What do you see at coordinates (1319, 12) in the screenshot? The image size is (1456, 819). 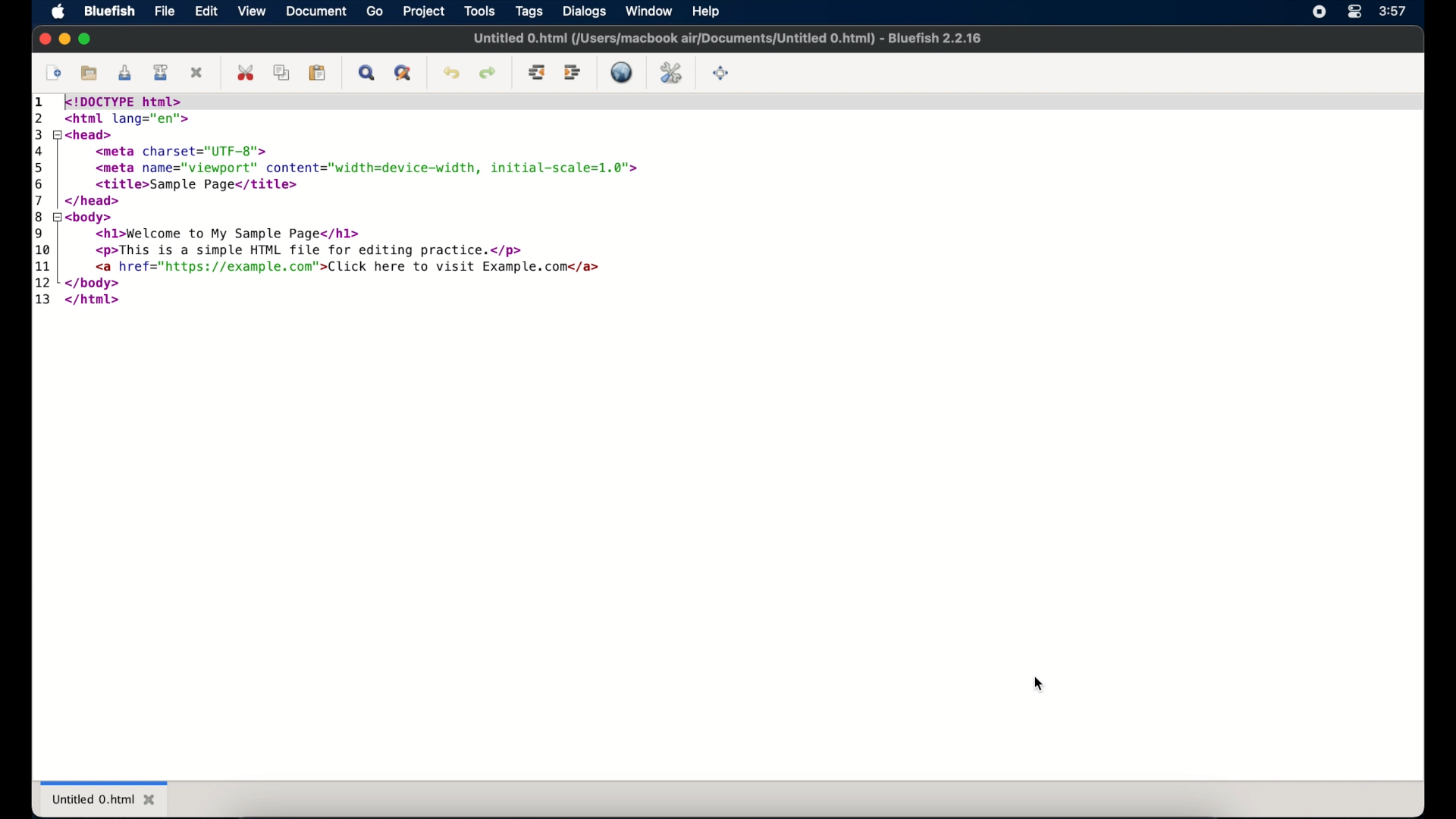 I see `screen recorder icon` at bounding box center [1319, 12].